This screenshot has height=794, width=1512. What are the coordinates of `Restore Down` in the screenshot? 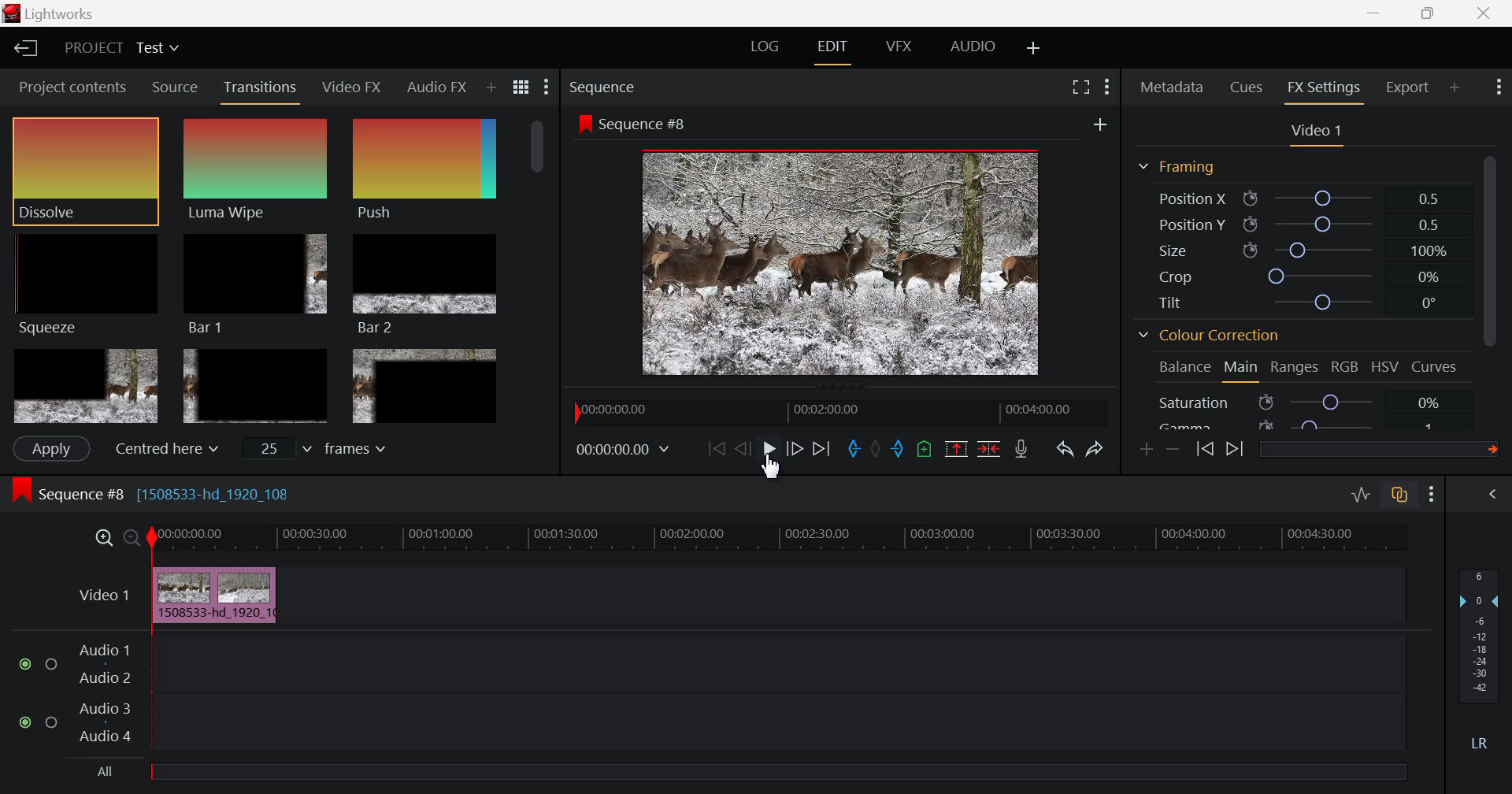 It's located at (1378, 13).